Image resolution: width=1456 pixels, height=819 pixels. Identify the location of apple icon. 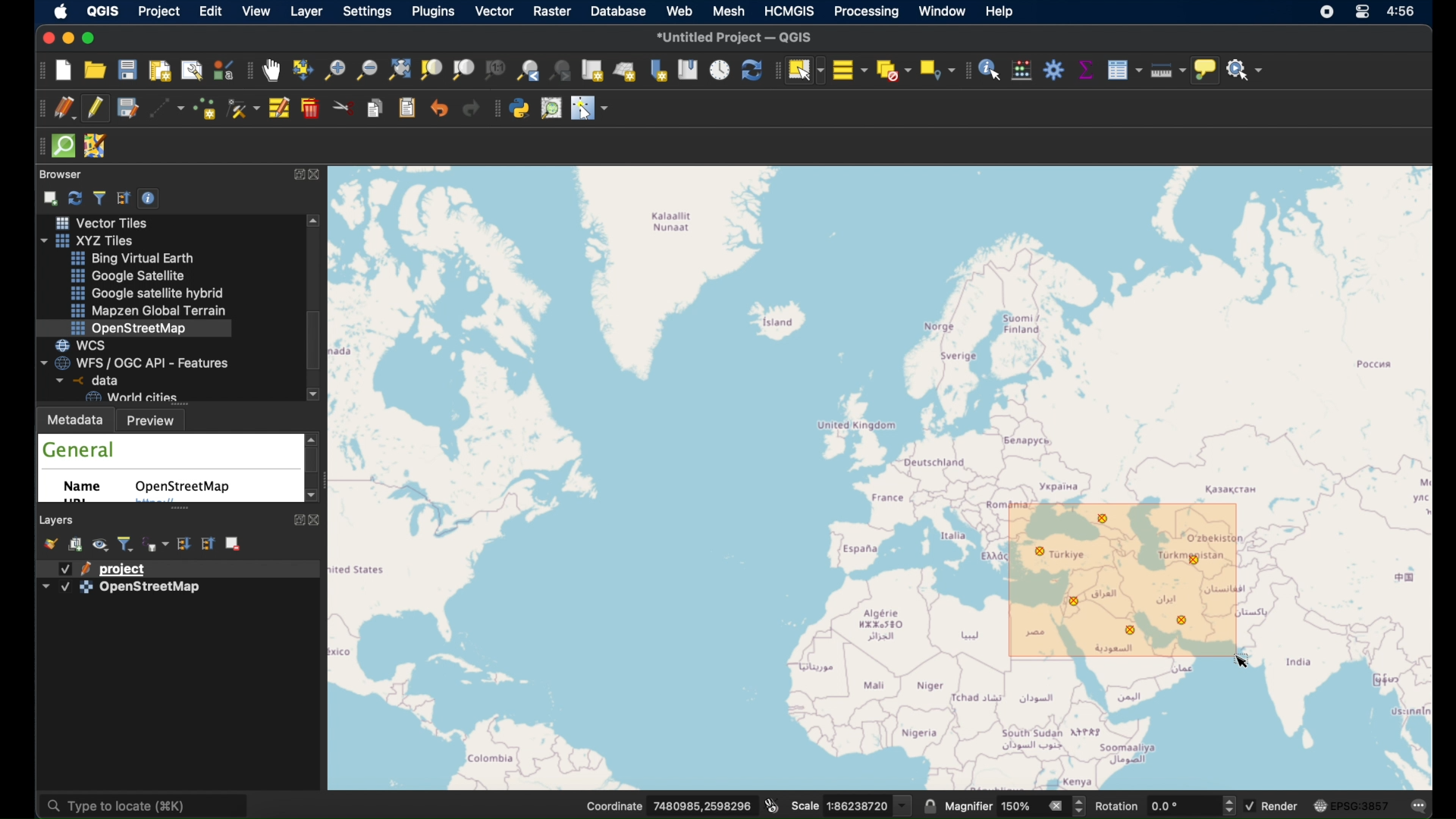
(64, 13).